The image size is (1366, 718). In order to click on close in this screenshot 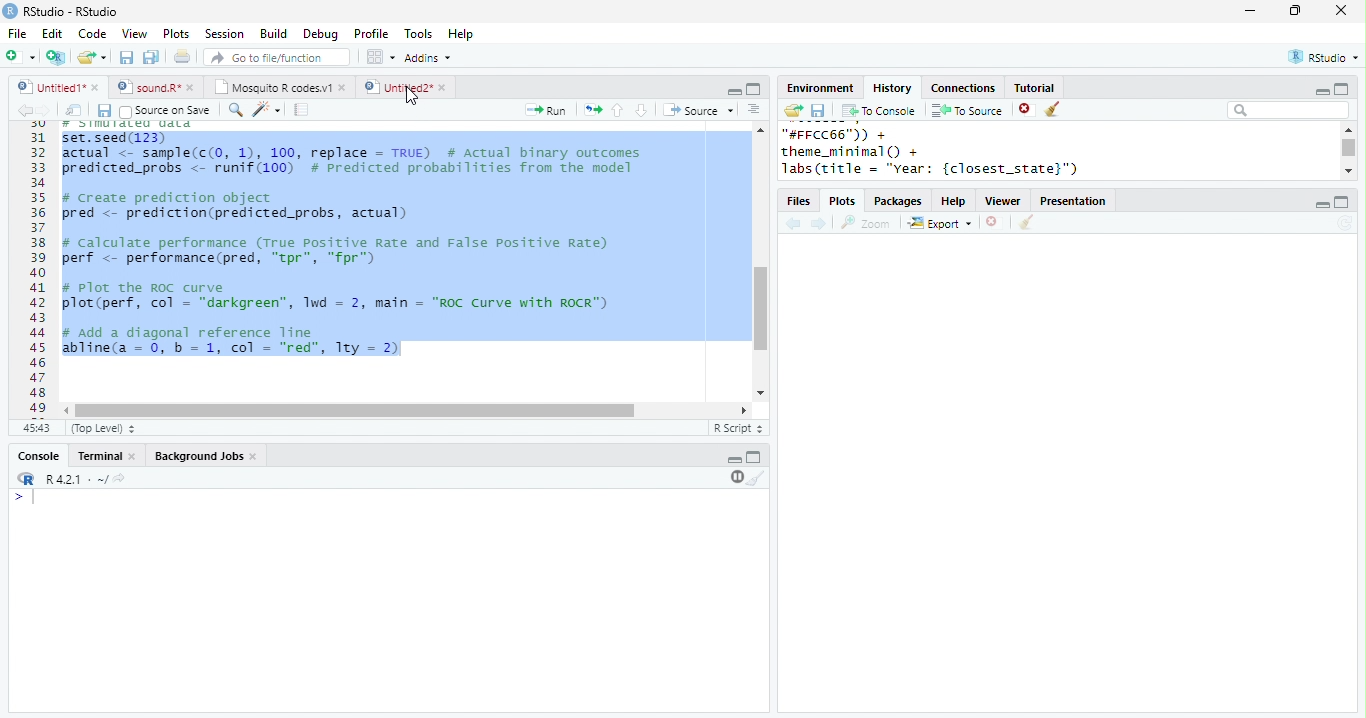, I will do `click(134, 457)`.